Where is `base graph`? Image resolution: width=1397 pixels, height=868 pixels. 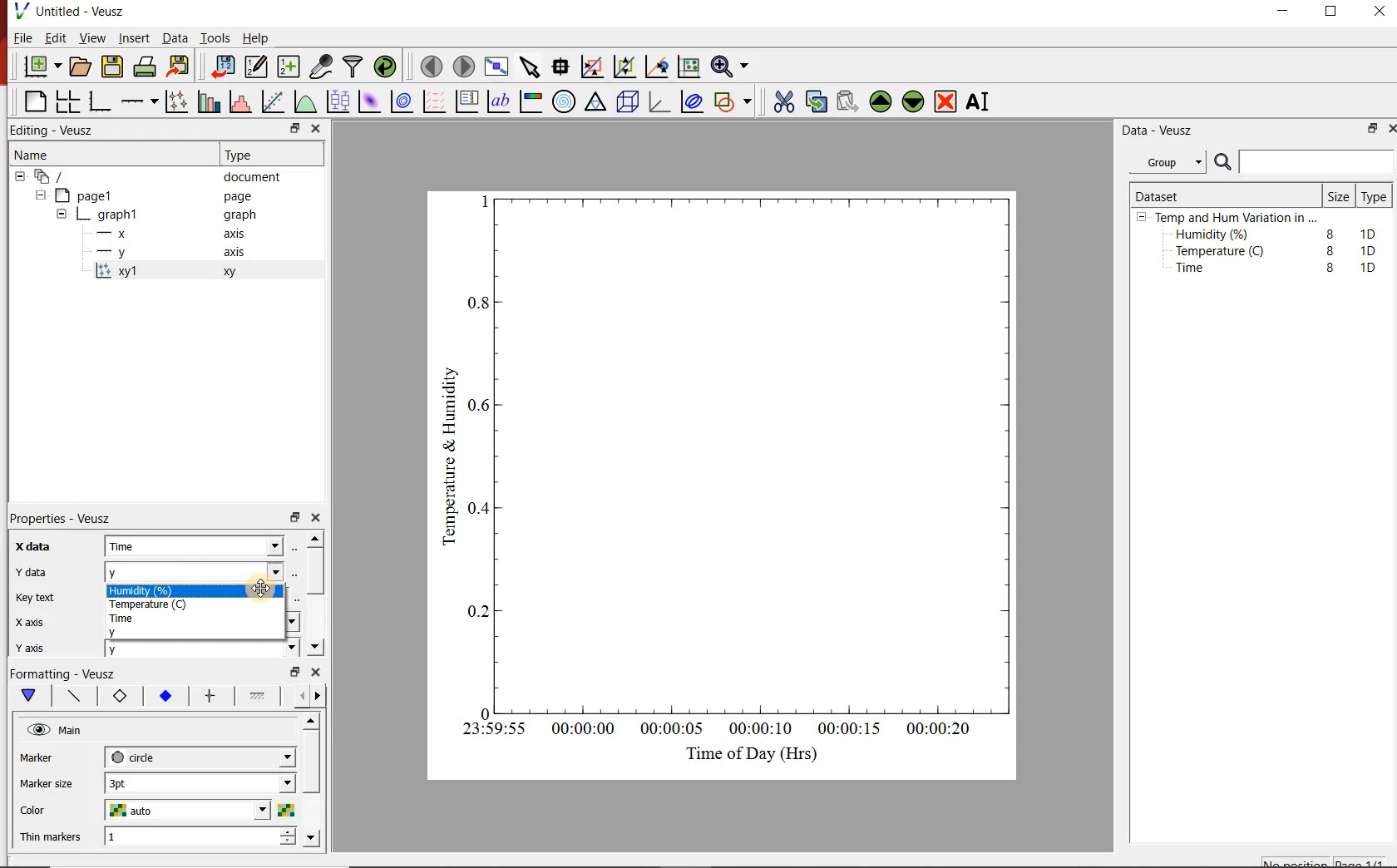 base graph is located at coordinates (101, 99).